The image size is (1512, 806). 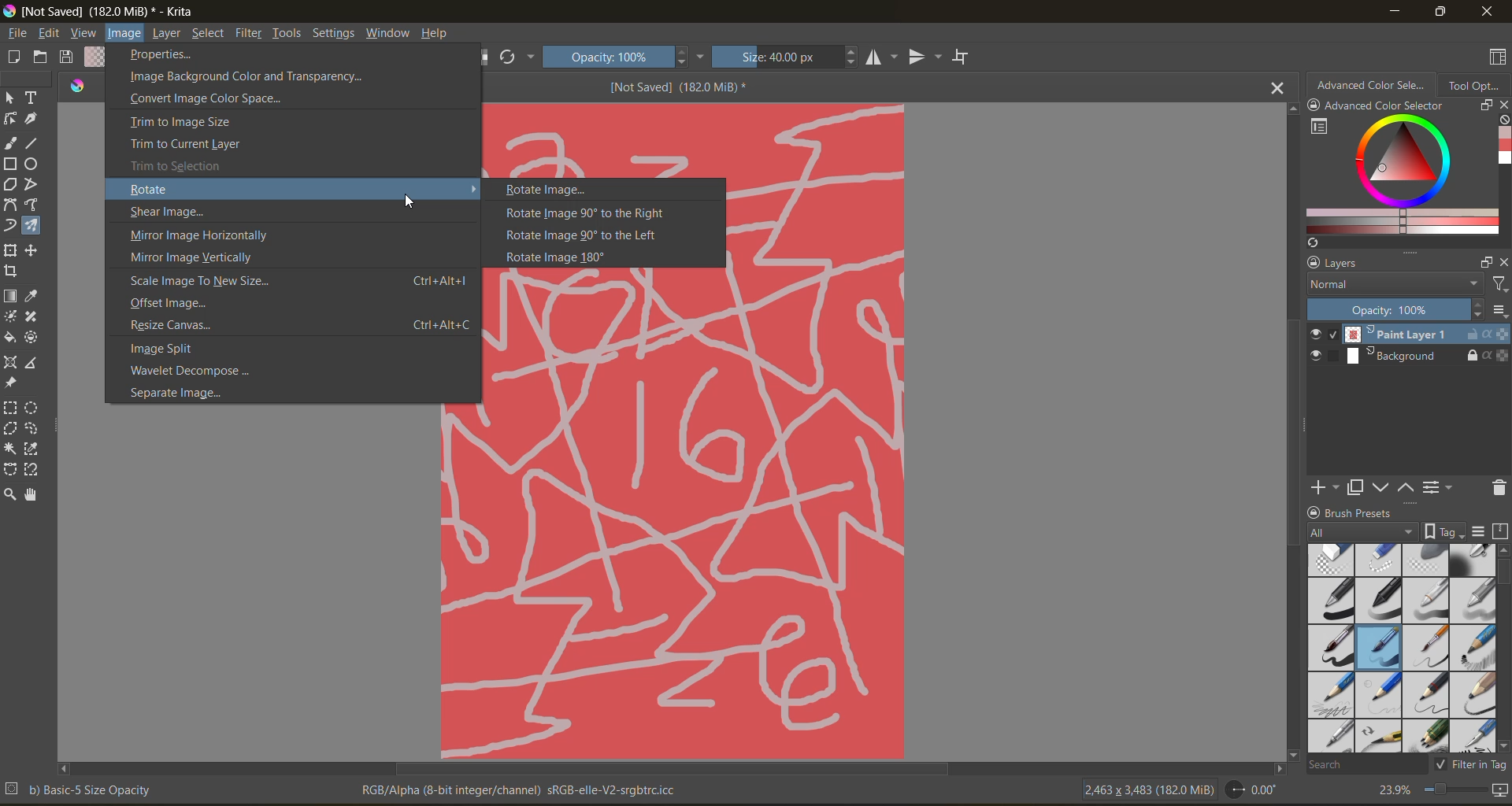 I want to click on close, so click(x=1489, y=13).